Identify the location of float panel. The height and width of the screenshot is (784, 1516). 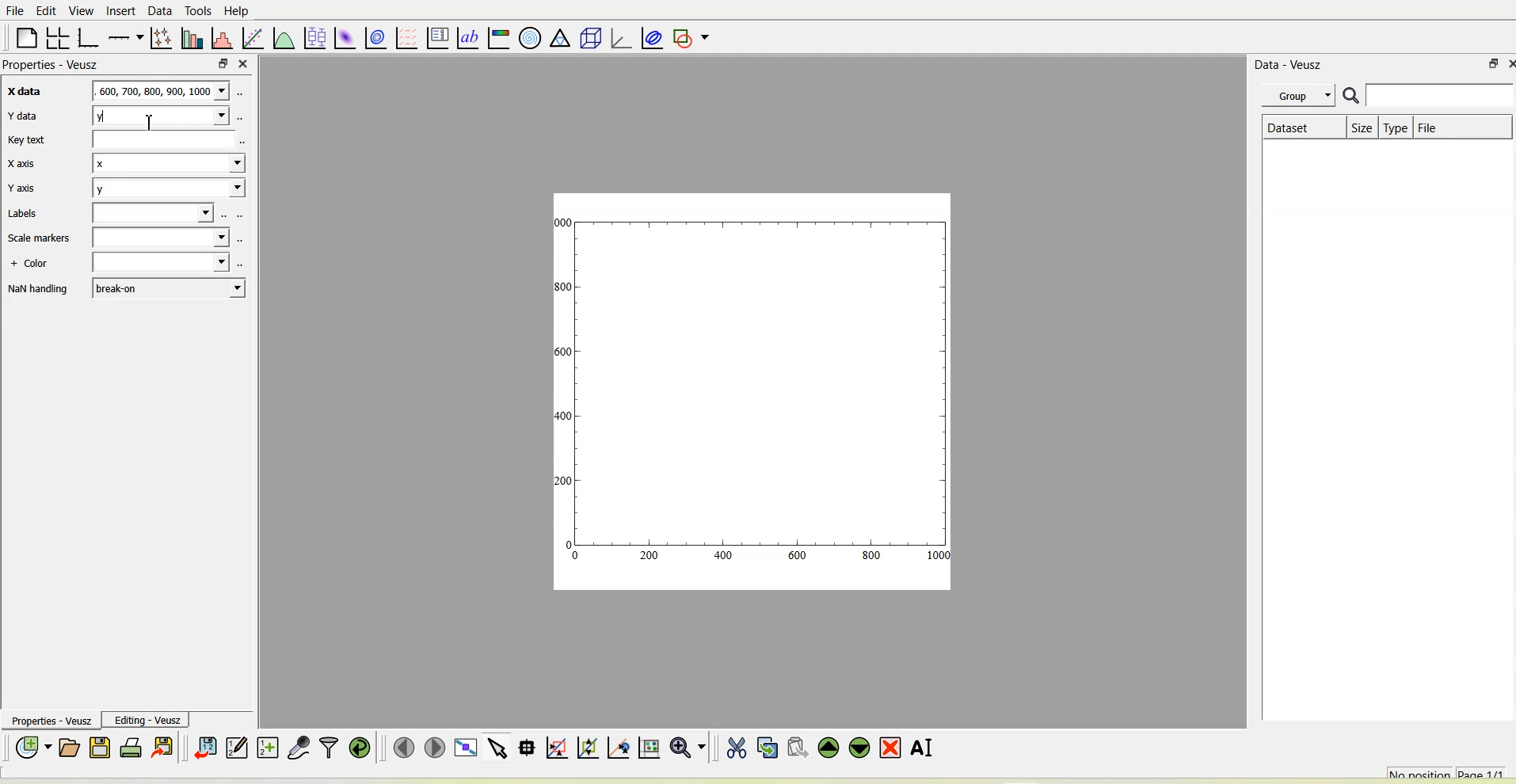
(1490, 64).